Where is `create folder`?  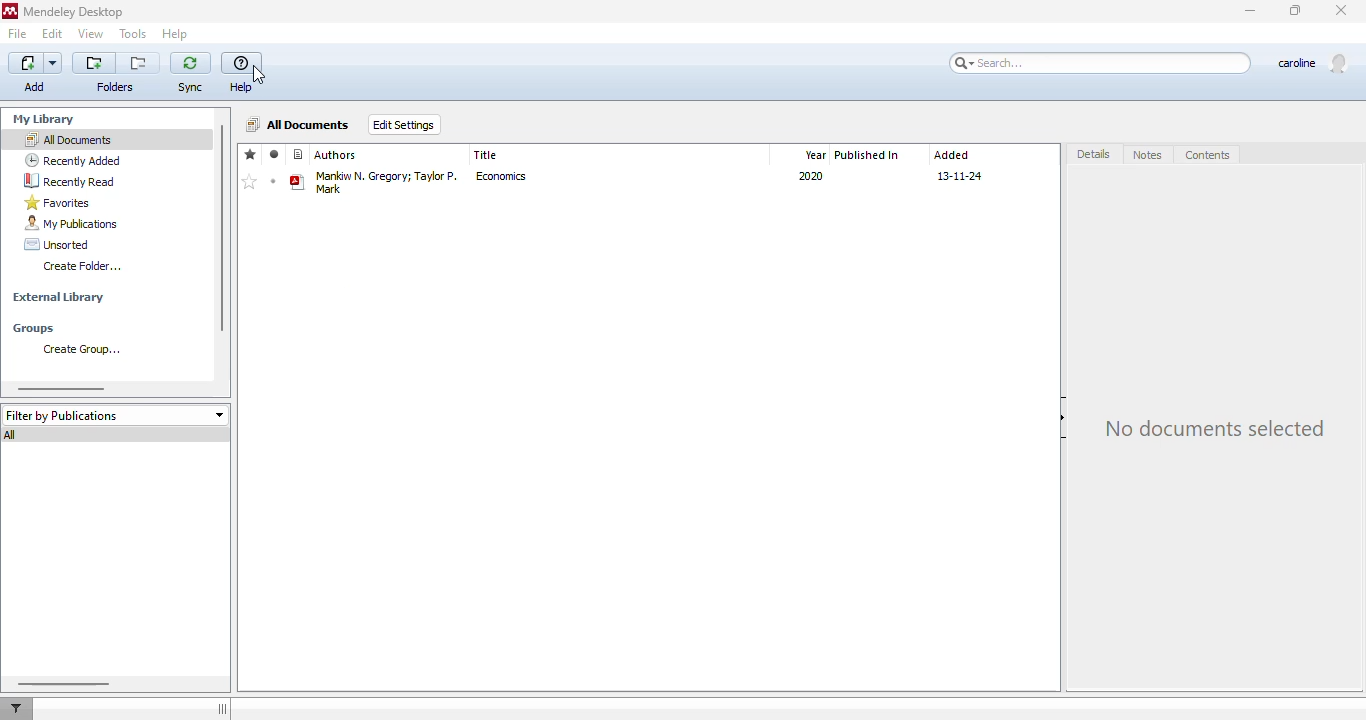
create folder is located at coordinates (80, 265).